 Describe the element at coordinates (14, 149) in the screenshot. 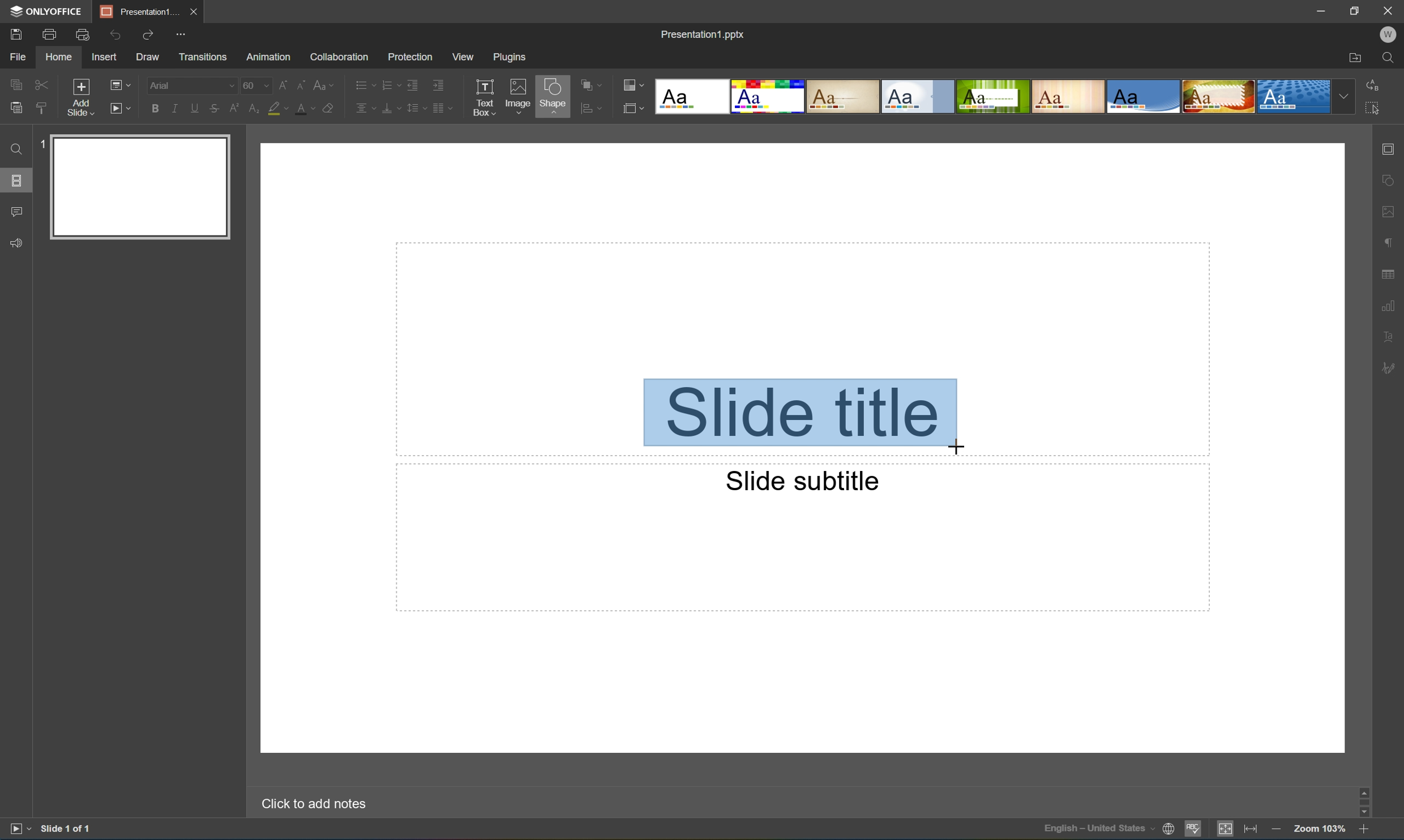

I see `Find` at that location.